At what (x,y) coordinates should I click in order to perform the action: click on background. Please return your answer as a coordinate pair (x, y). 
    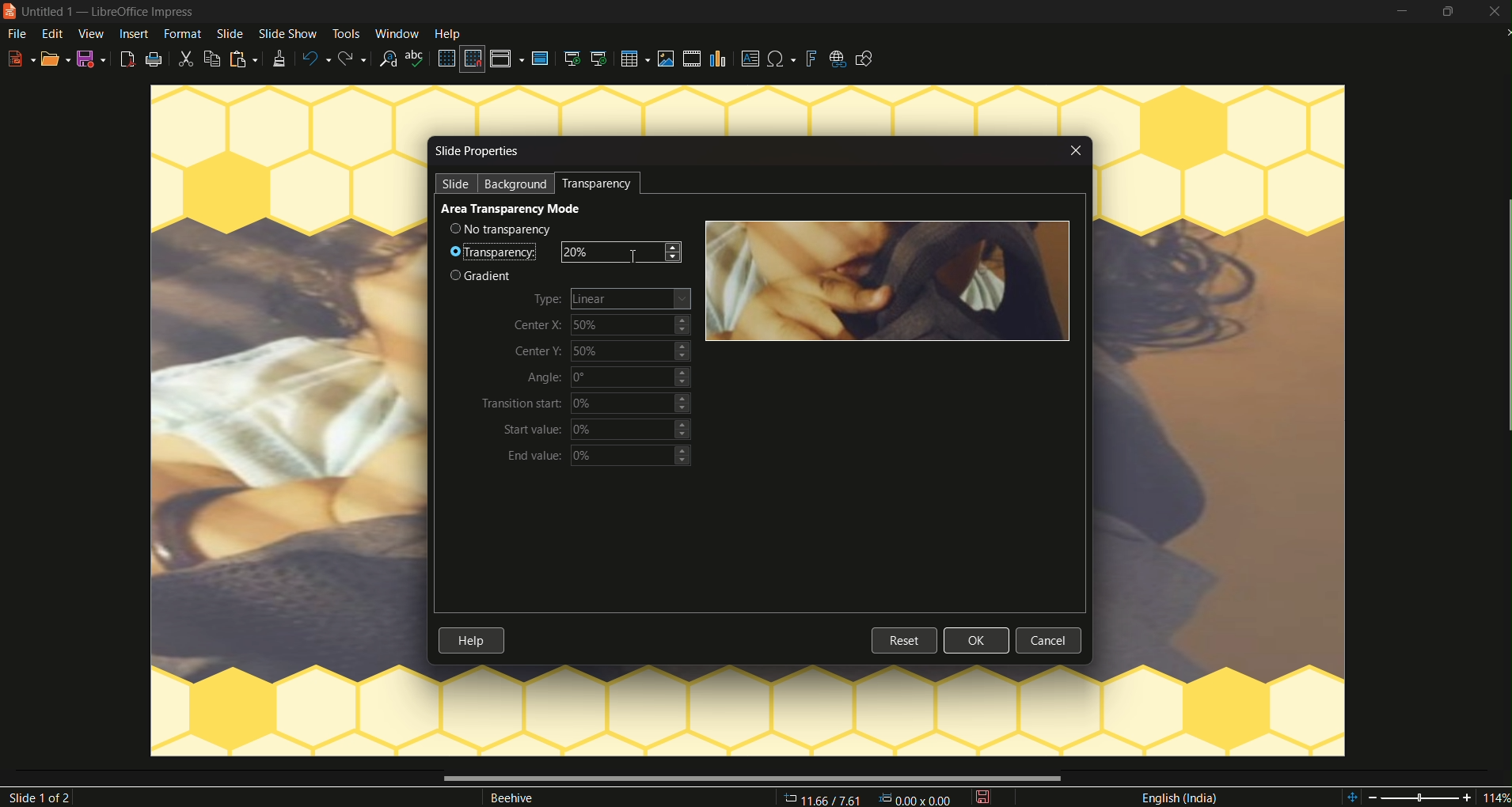
    Looking at the image, I should click on (518, 184).